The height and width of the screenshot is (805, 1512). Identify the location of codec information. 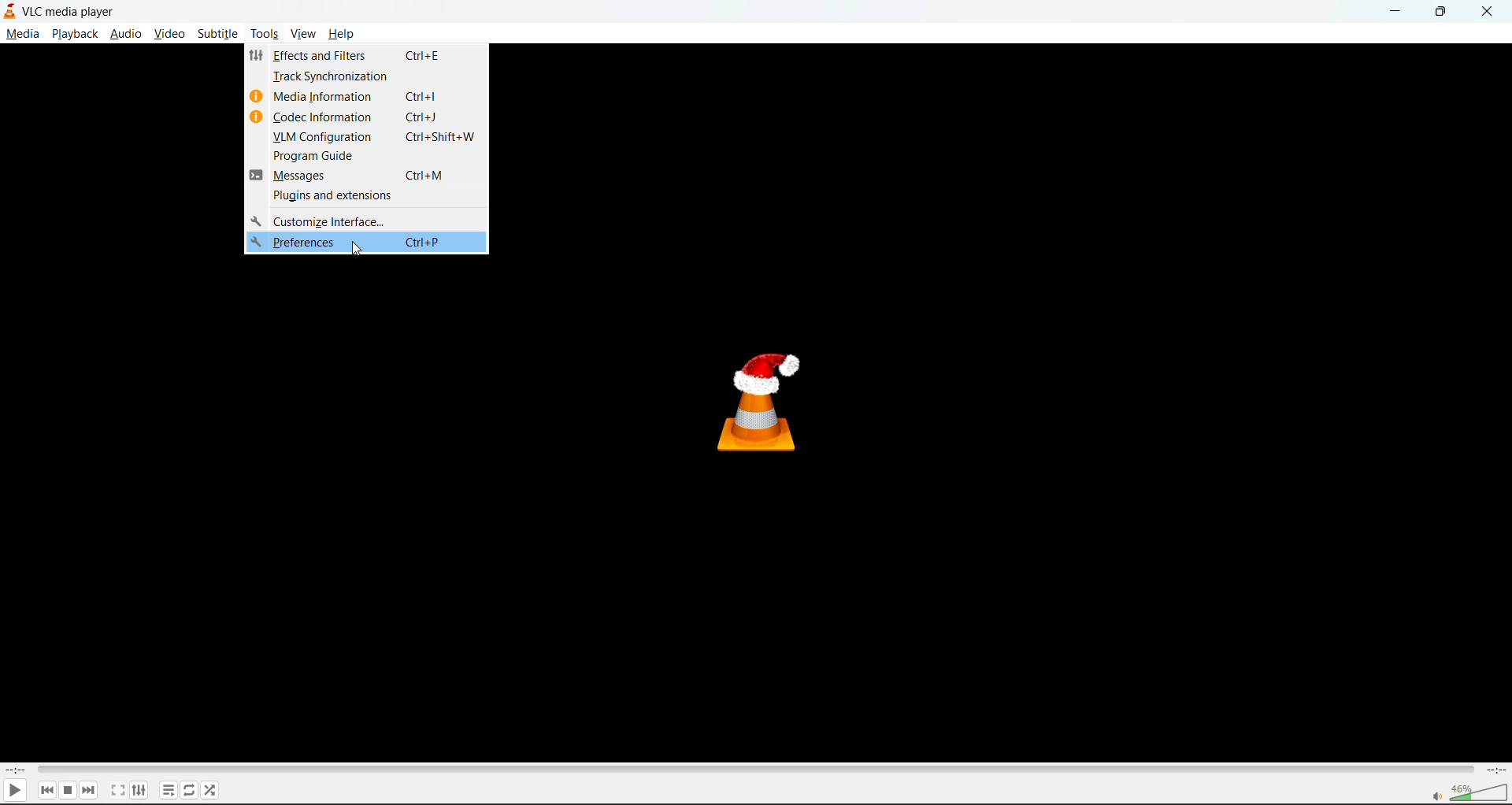
(325, 117).